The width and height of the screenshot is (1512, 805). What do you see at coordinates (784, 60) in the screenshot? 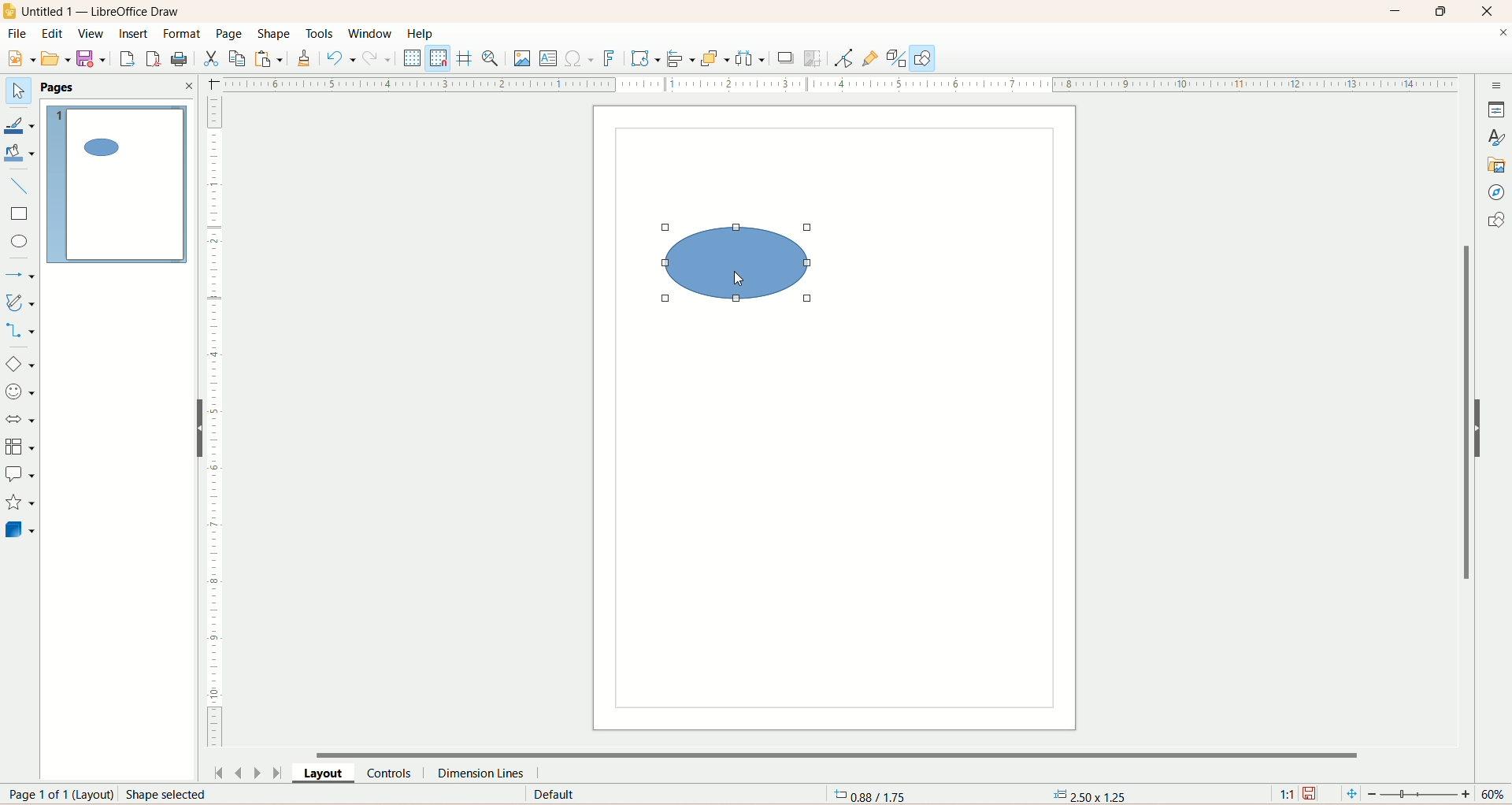
I see `shadow` at bounding box center [784, 60].